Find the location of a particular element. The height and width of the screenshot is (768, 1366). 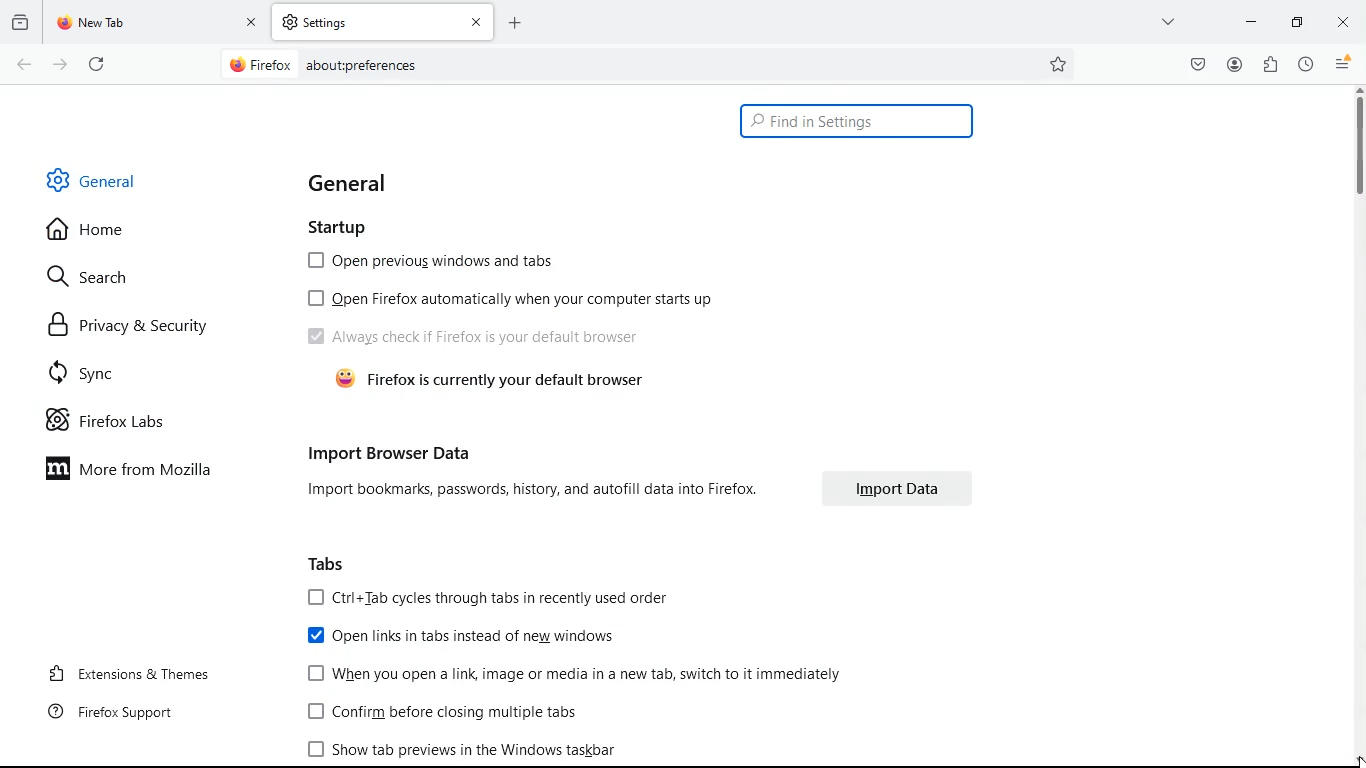

tab is located at coordinates (156, 23).